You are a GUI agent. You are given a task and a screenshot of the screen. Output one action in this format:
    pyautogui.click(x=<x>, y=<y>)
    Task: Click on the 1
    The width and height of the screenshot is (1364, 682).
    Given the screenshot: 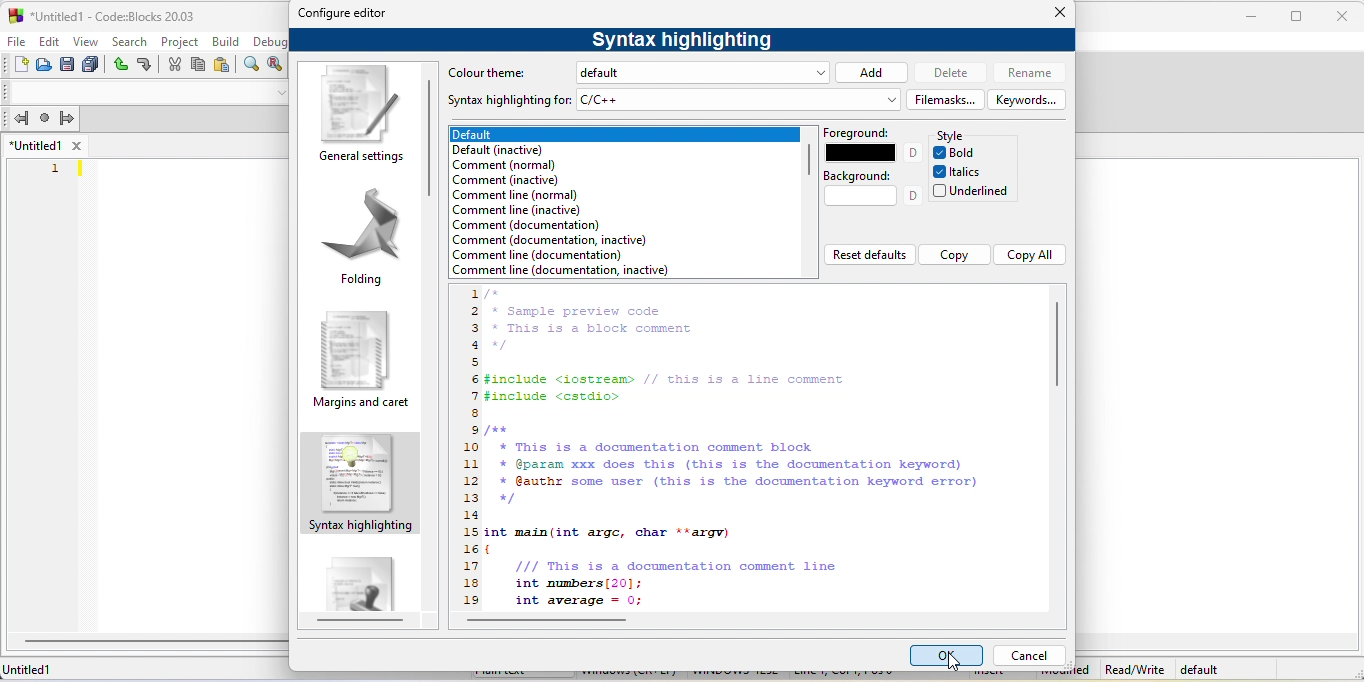 What is the action you would take?
    pyautogui.click(x=57, y=170)
    